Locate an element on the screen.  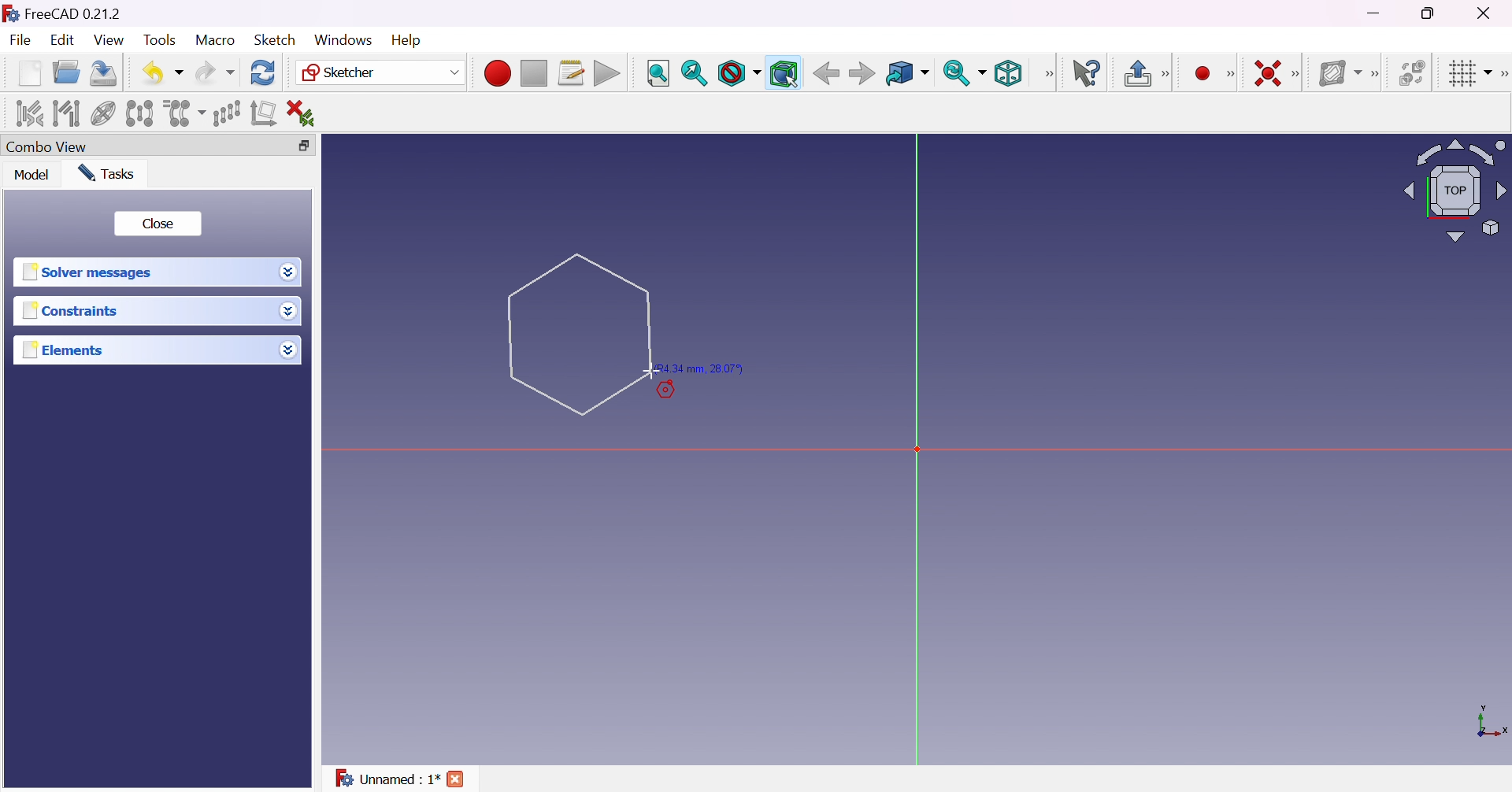
Sketcher constraints is located at coordinates (1299, 75).